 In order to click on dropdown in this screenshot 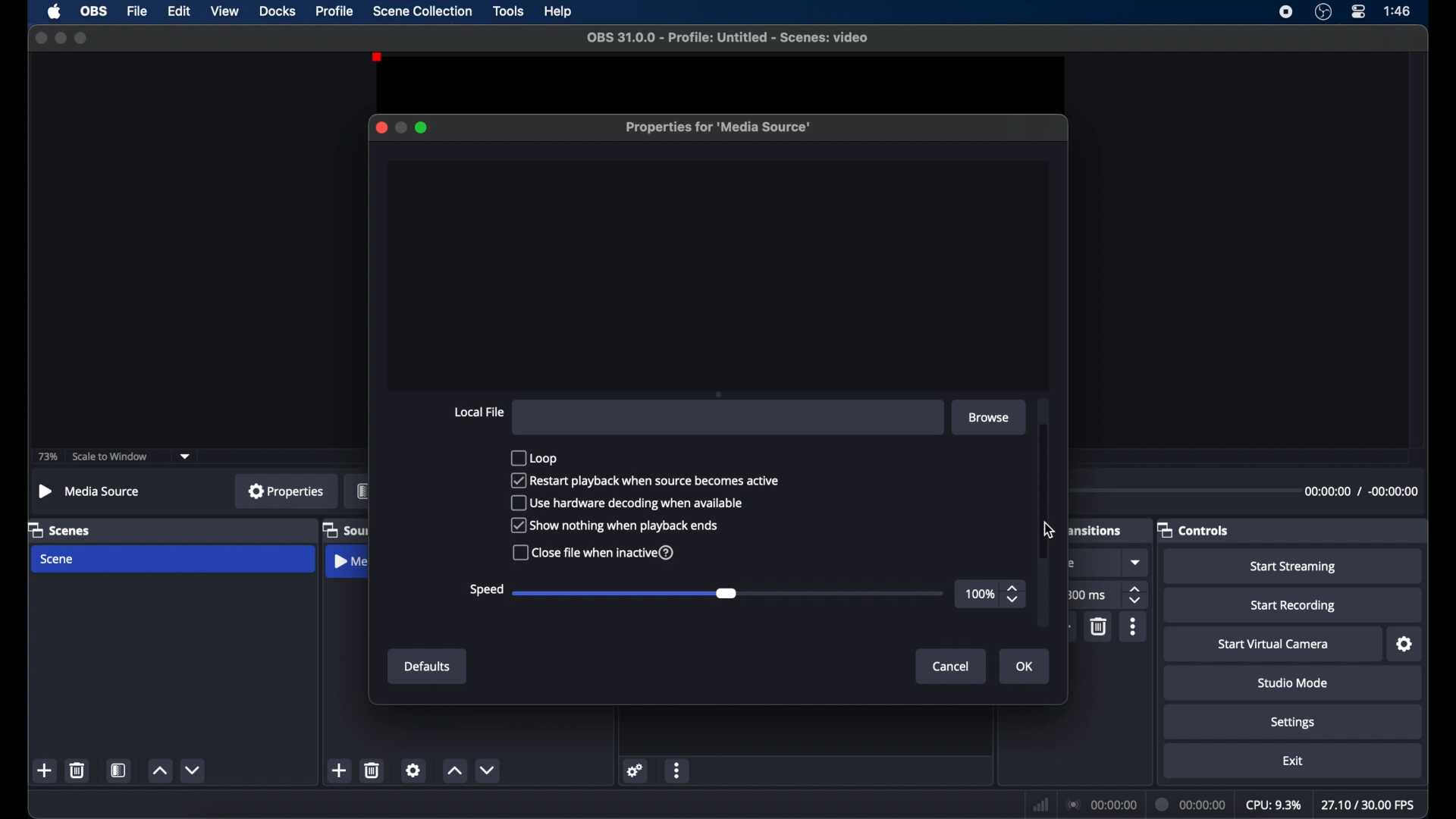, I will do `click(1137, 562)`.